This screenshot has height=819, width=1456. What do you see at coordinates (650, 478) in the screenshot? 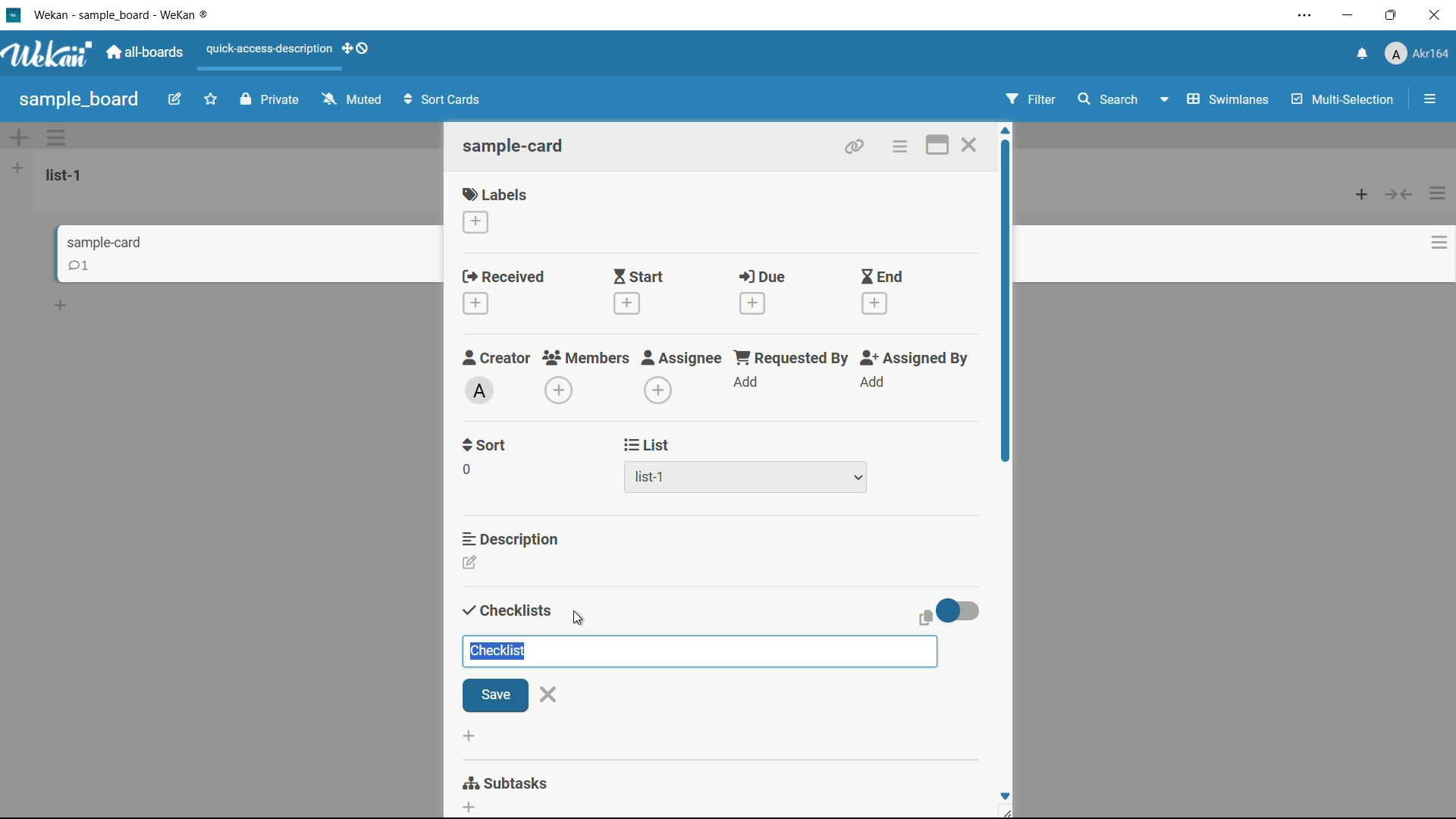
I see `list-1` at bounding box center [650, 478].